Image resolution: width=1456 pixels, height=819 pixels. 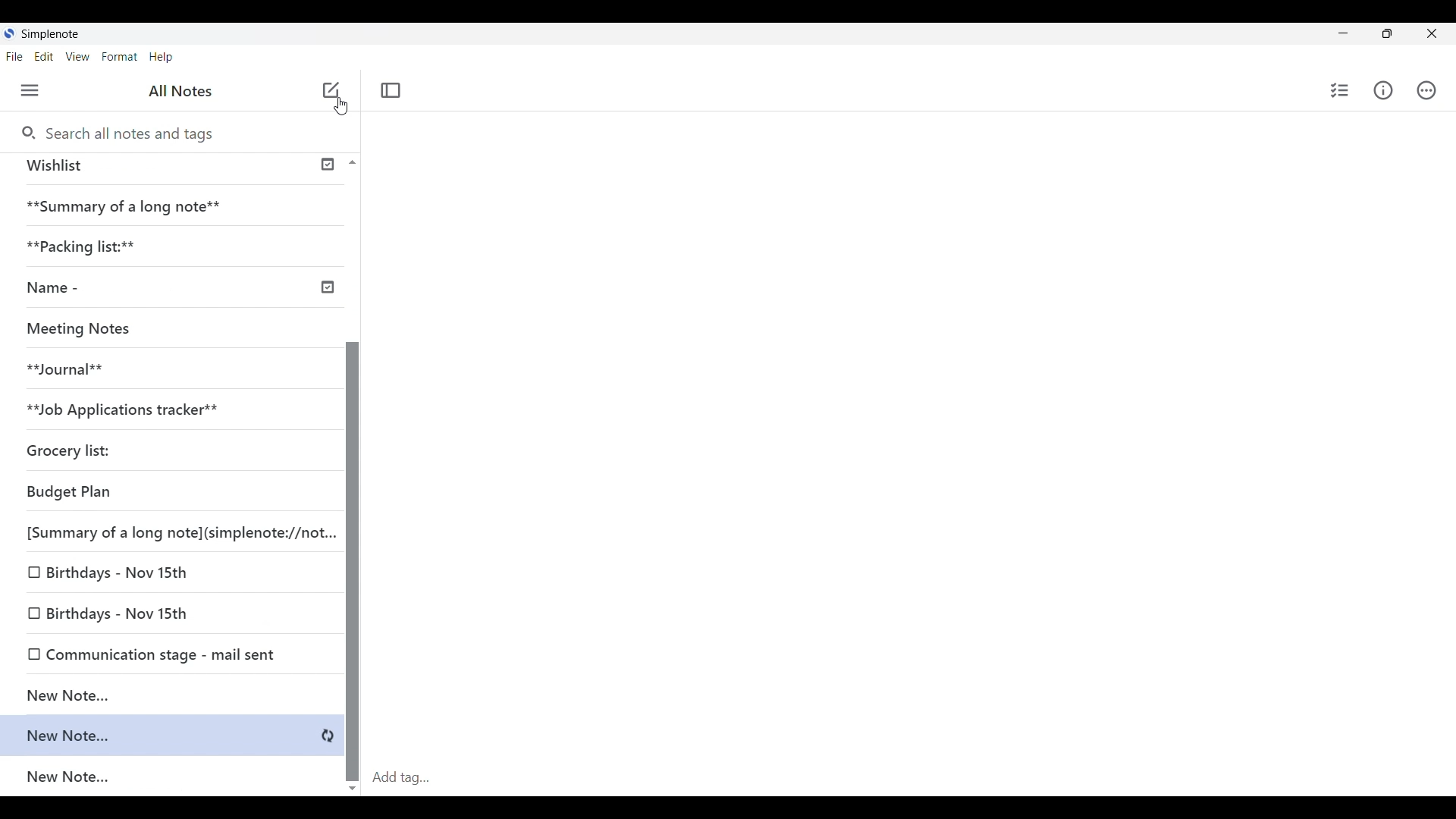 I want to click on Input area for notes, so click(x=905, y=448).